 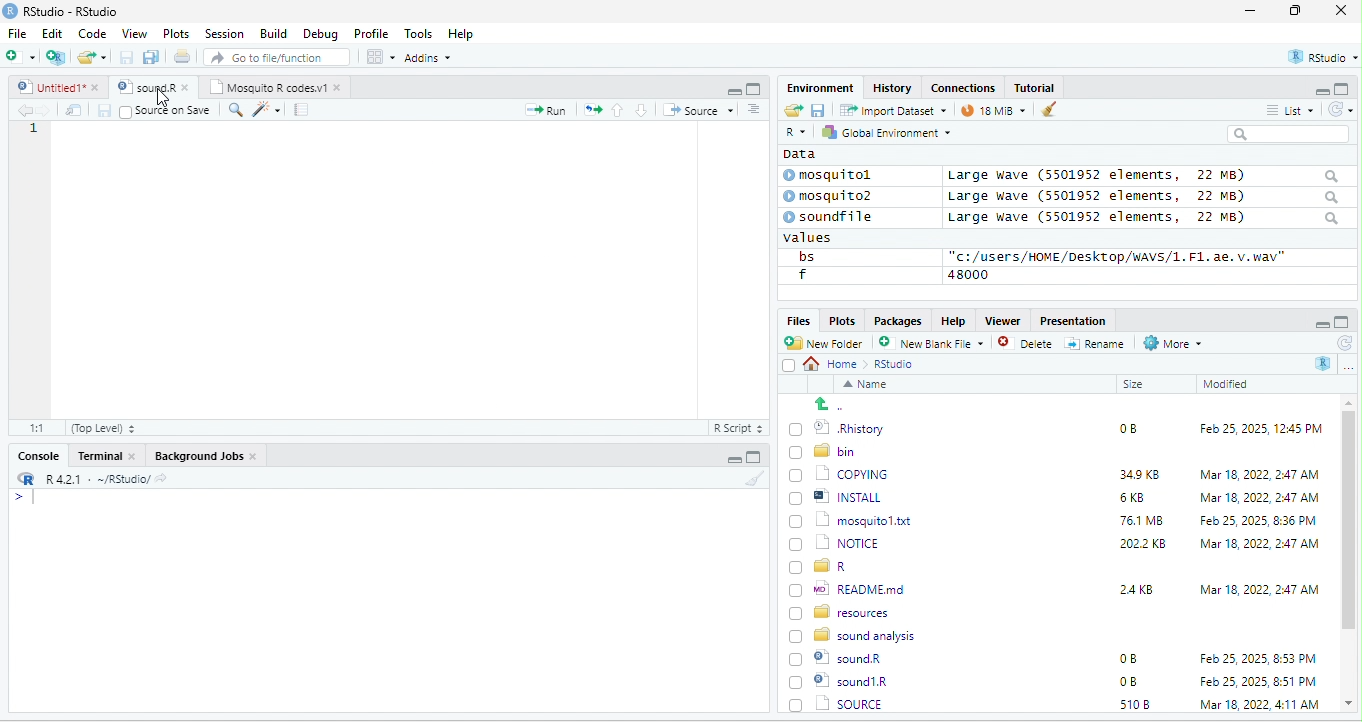 What do you see at coordinates (698, 109) in the screenshot?
I see `+ Source +` at bounding box center [698, 109].